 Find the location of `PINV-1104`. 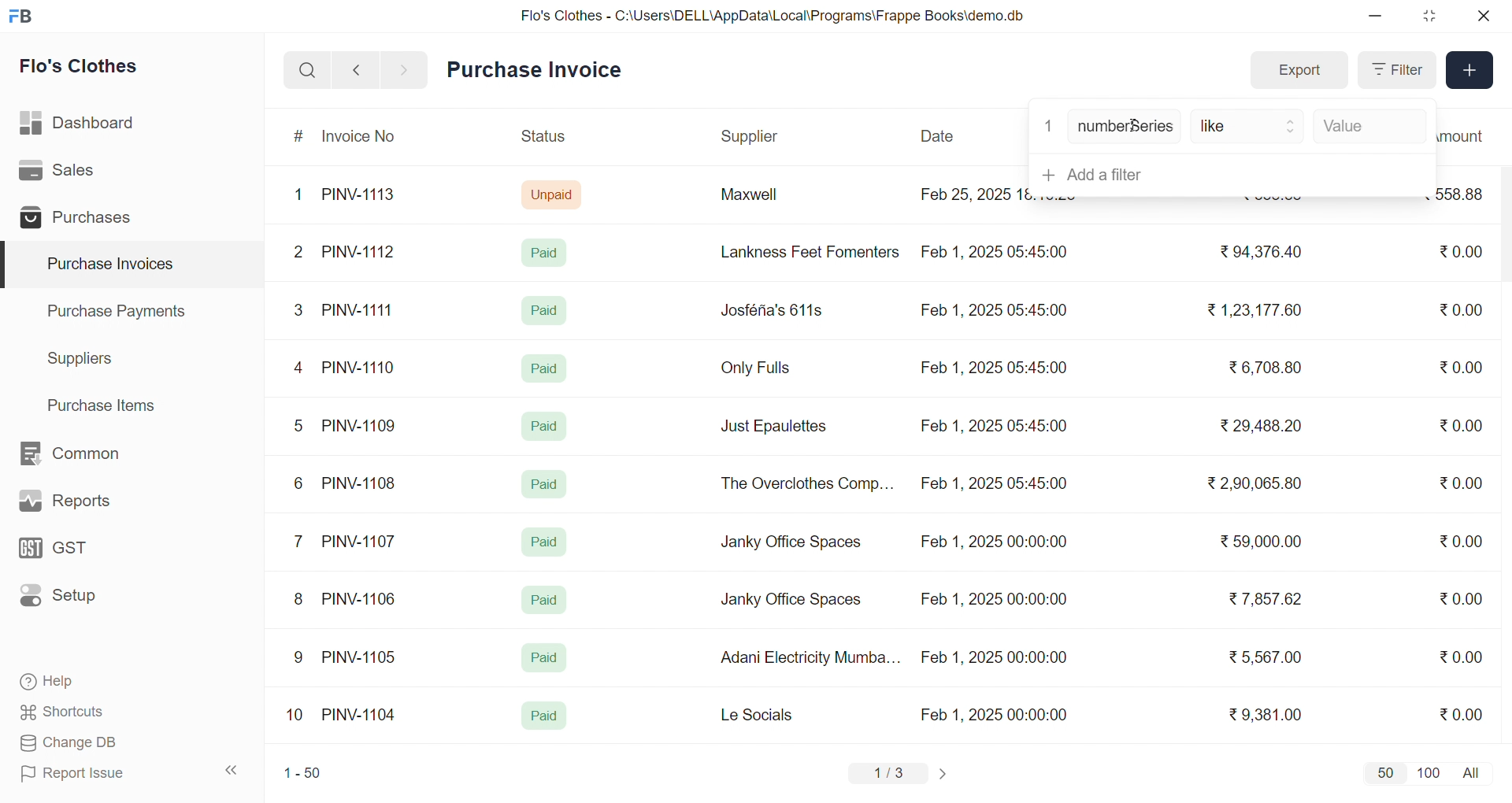

PINV-1104 is located at coordinates (361, 715).